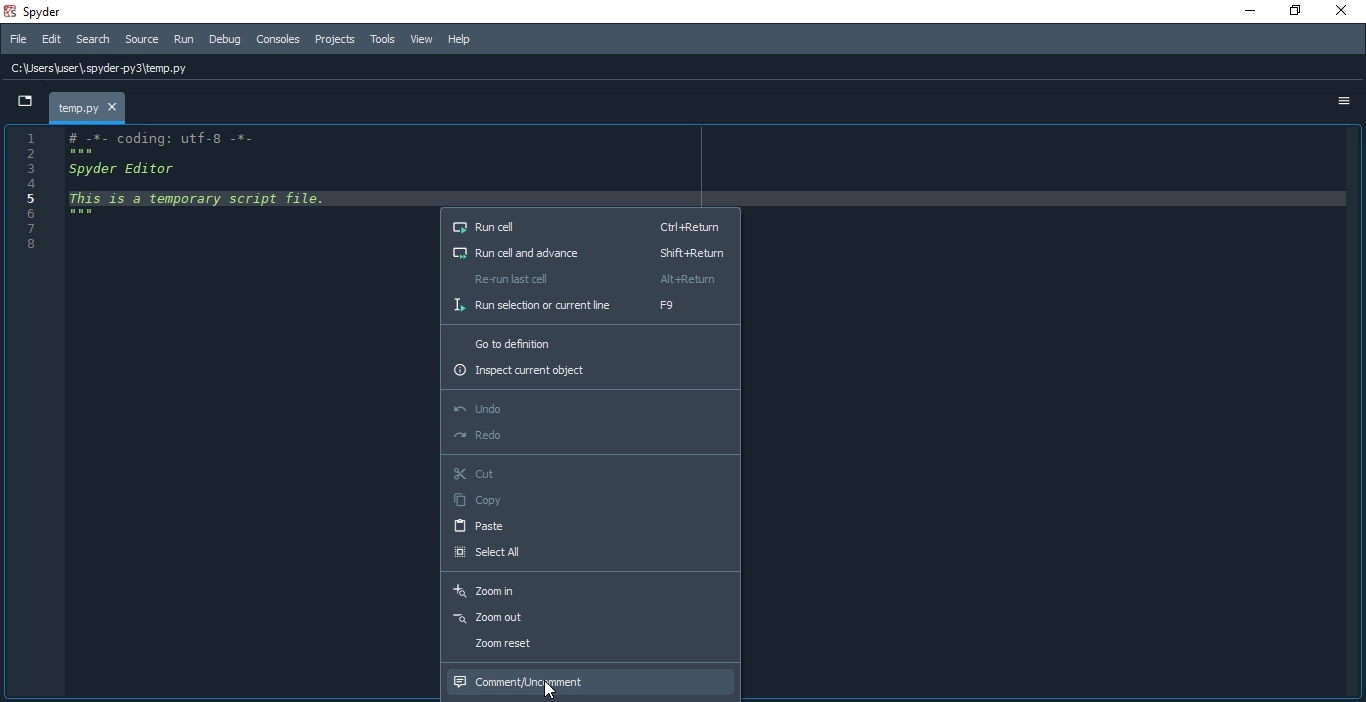 Image resolution: width=1366 pixels, height=702 pixels. Describe the element at coordinates (1294, 12) in the screenshot. I see `restore` at that location.